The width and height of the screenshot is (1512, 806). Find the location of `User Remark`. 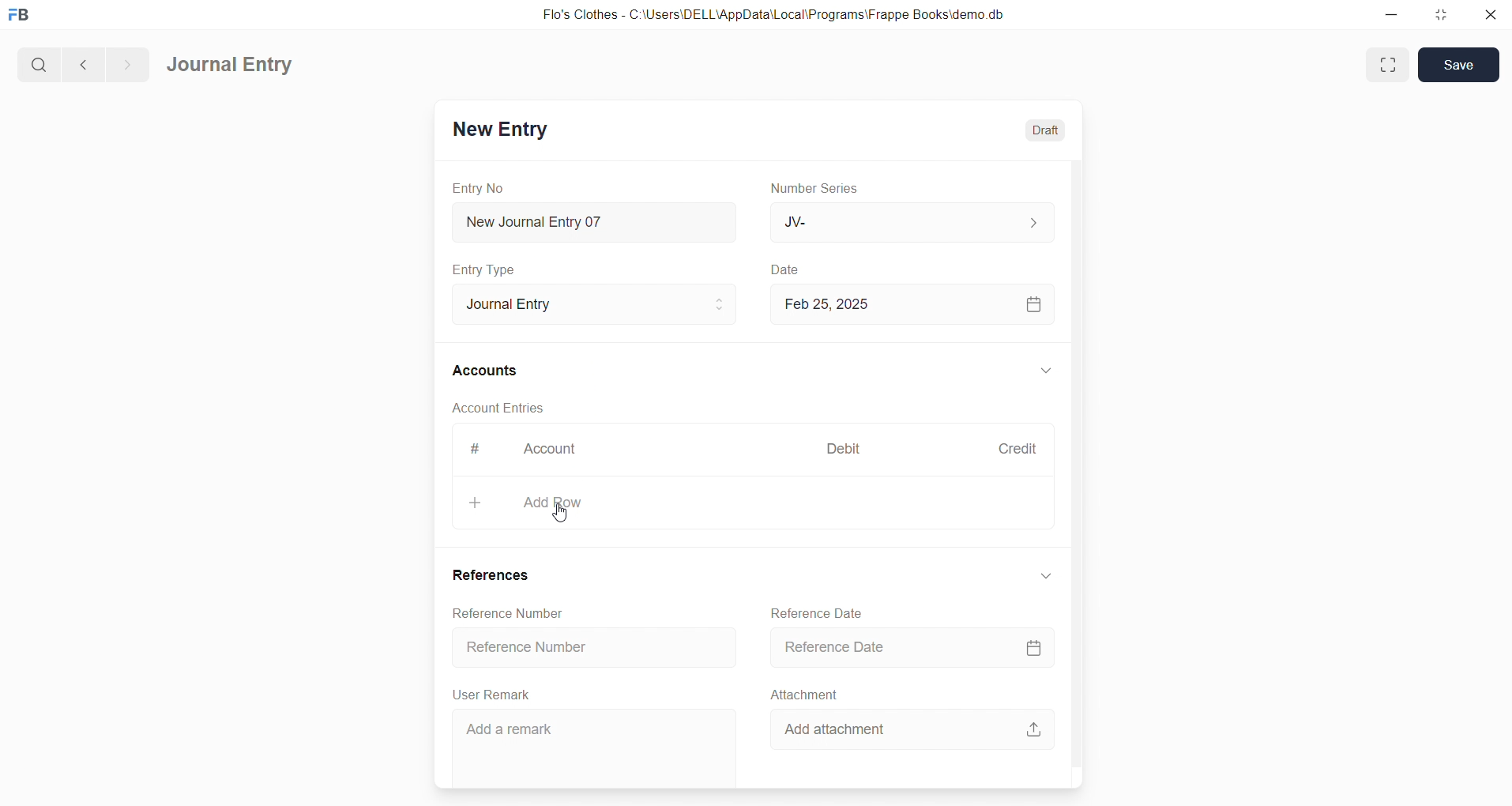

User Remark is located at coordinates (495, 695).